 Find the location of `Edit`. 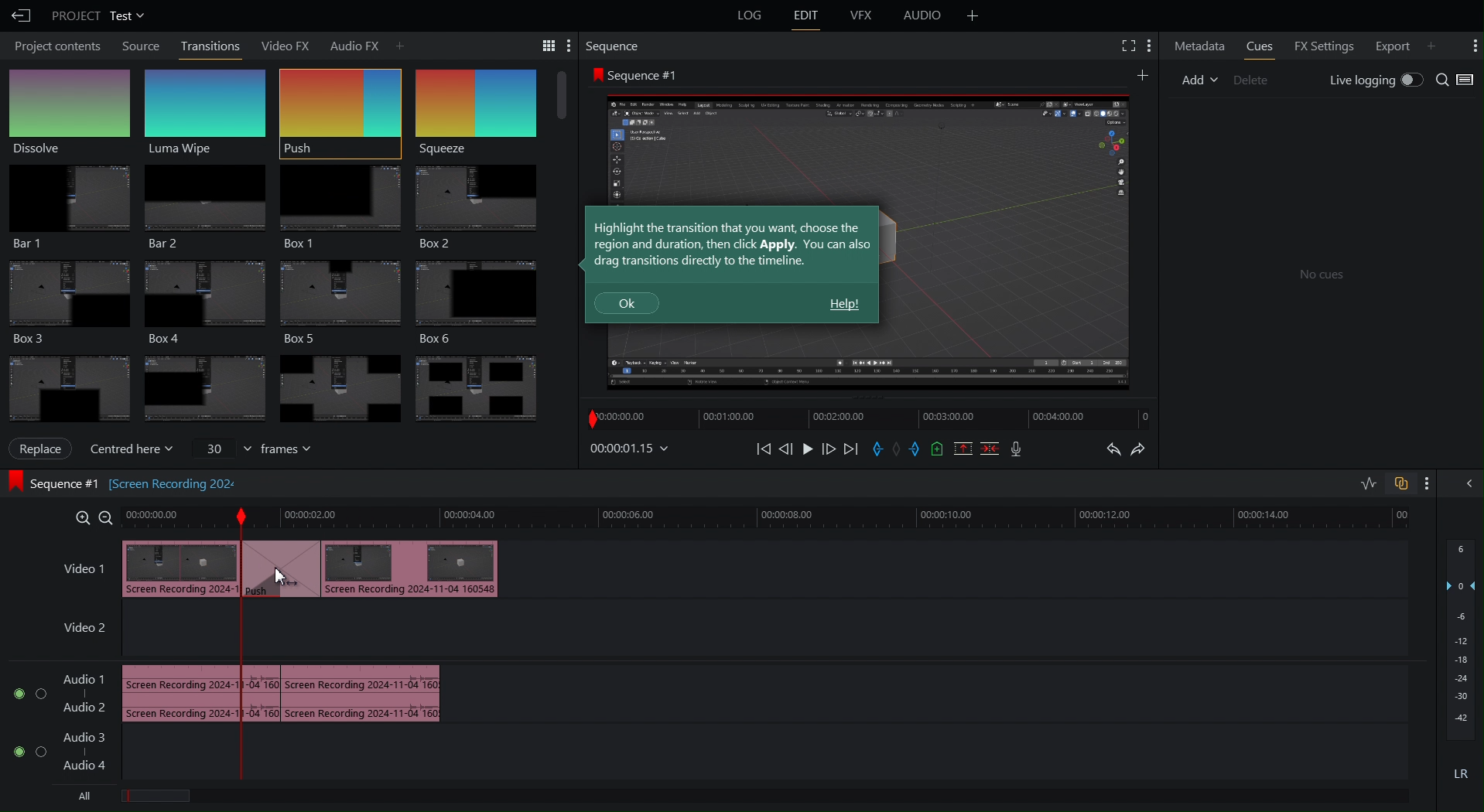

Edit is located at coordinates (809, 16).